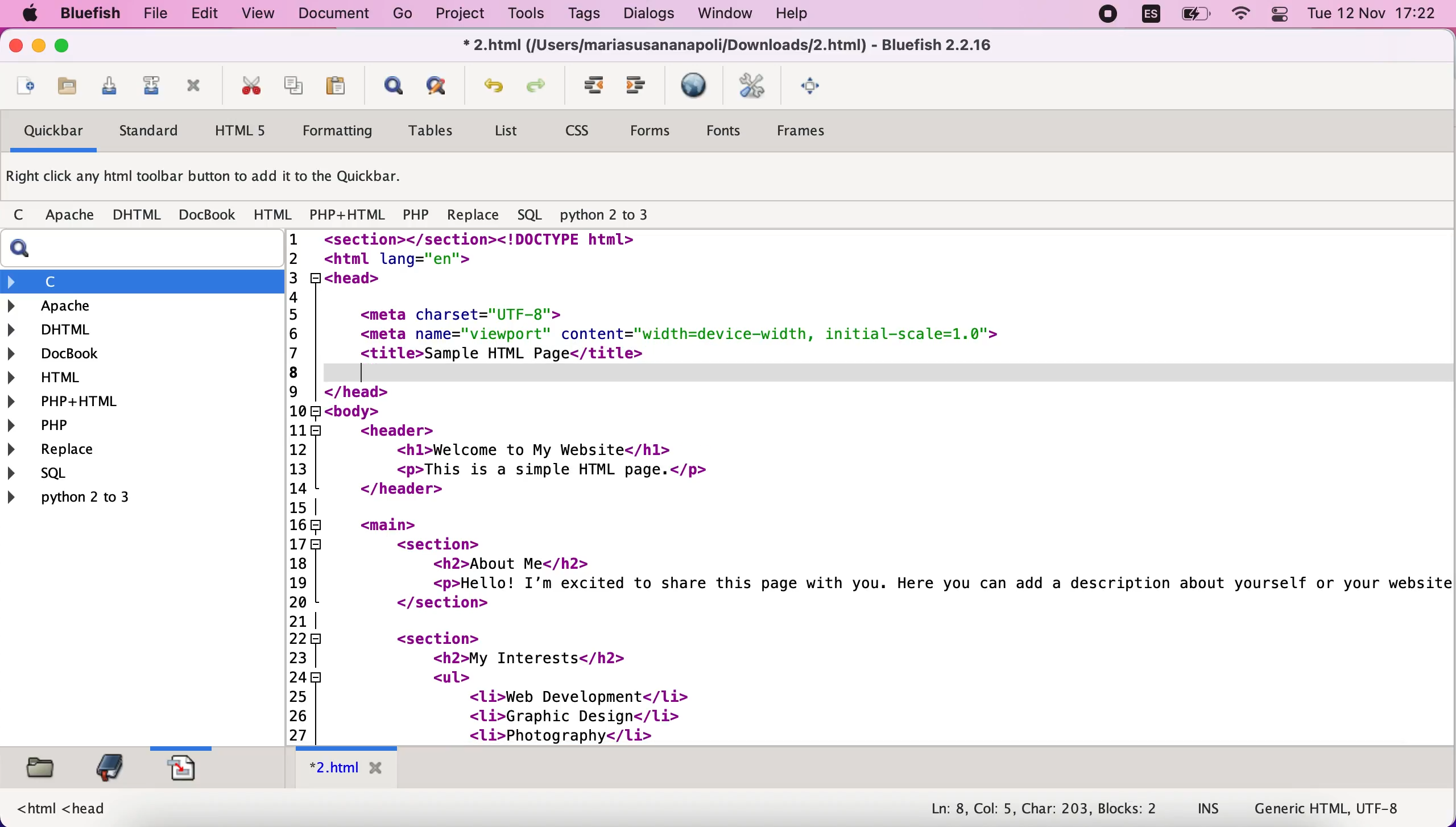 The width and height of the screenshot is (1456, 827). What do you see at coordinates (530, 213) in the screenshot?
I see `sql` at bounding box center [530, 213].